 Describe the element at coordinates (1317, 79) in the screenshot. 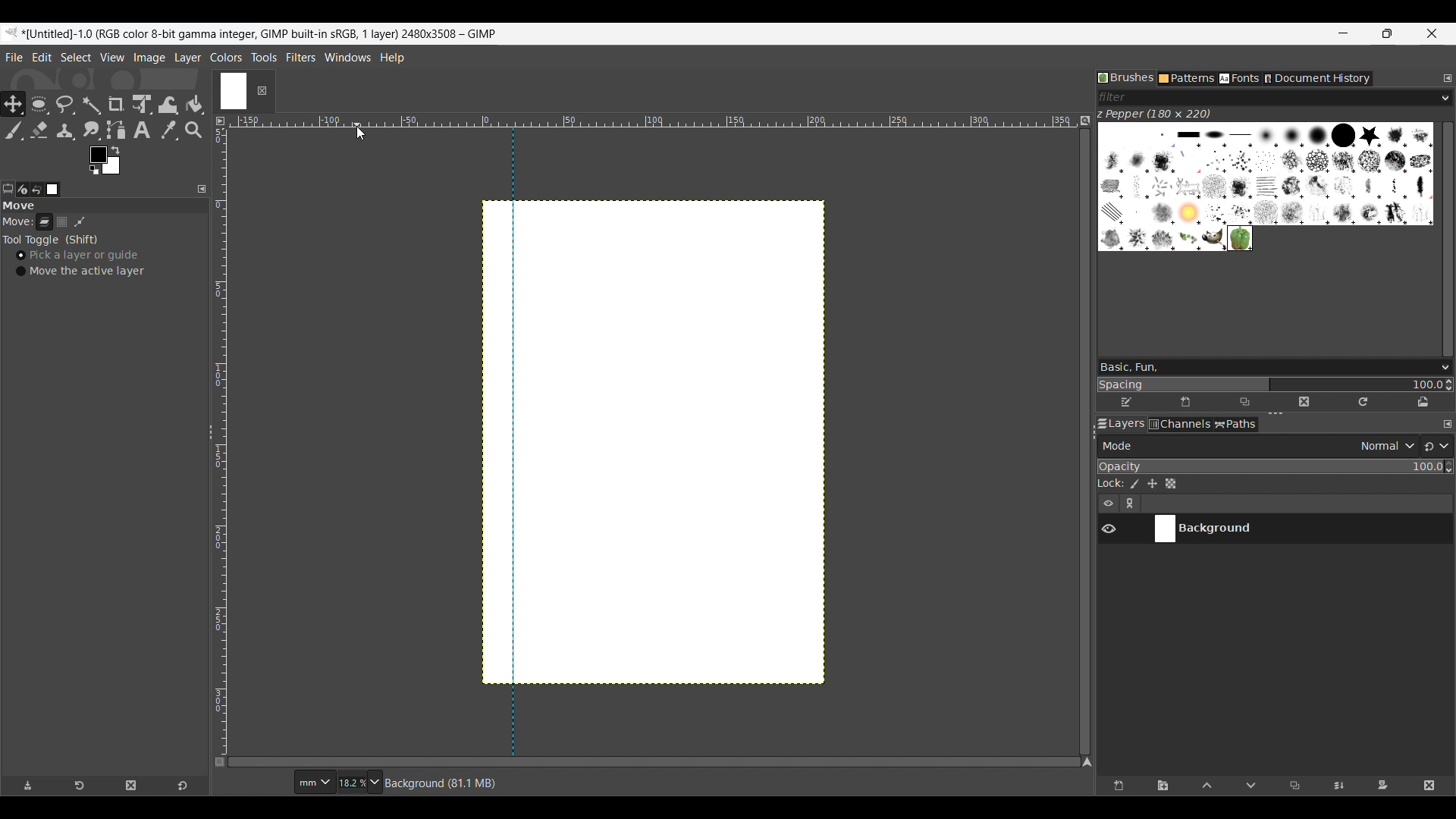

I see `Document history tab` at that location.